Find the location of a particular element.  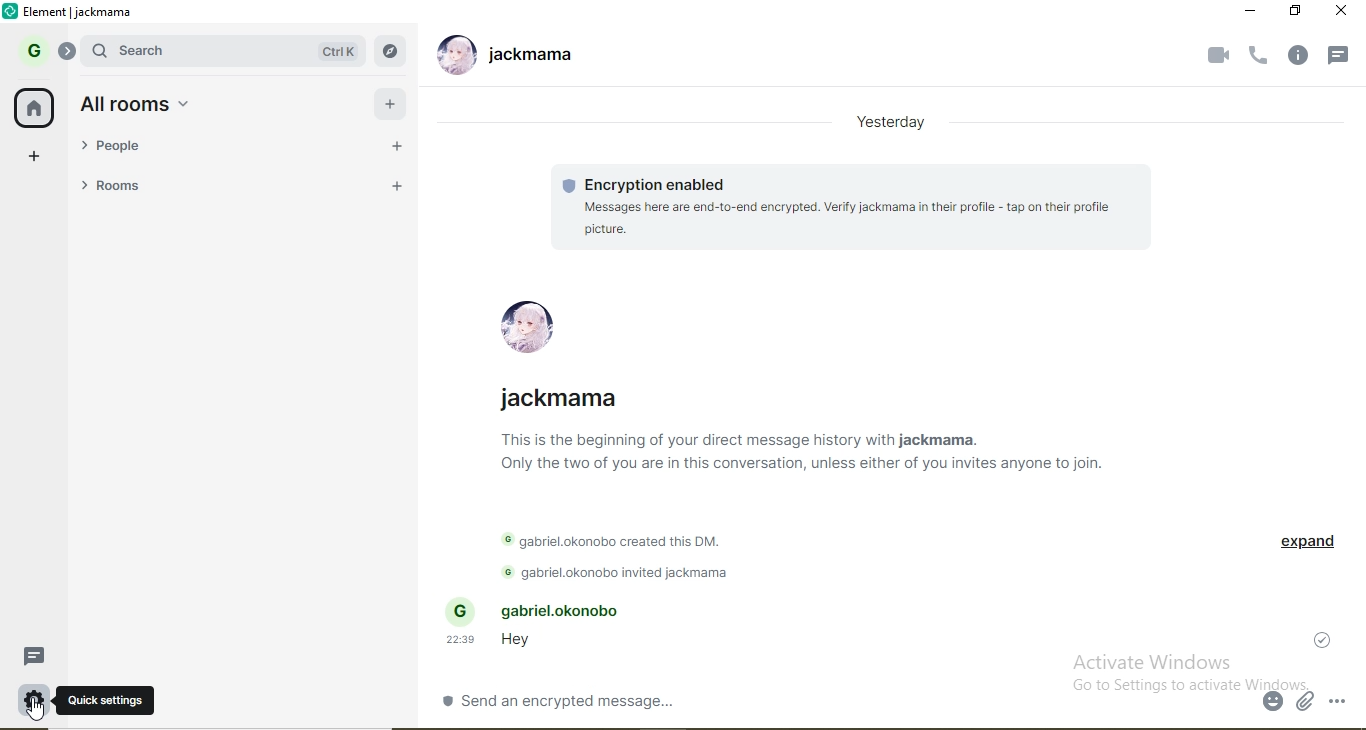

collapse is located at coordinates (68, 54).